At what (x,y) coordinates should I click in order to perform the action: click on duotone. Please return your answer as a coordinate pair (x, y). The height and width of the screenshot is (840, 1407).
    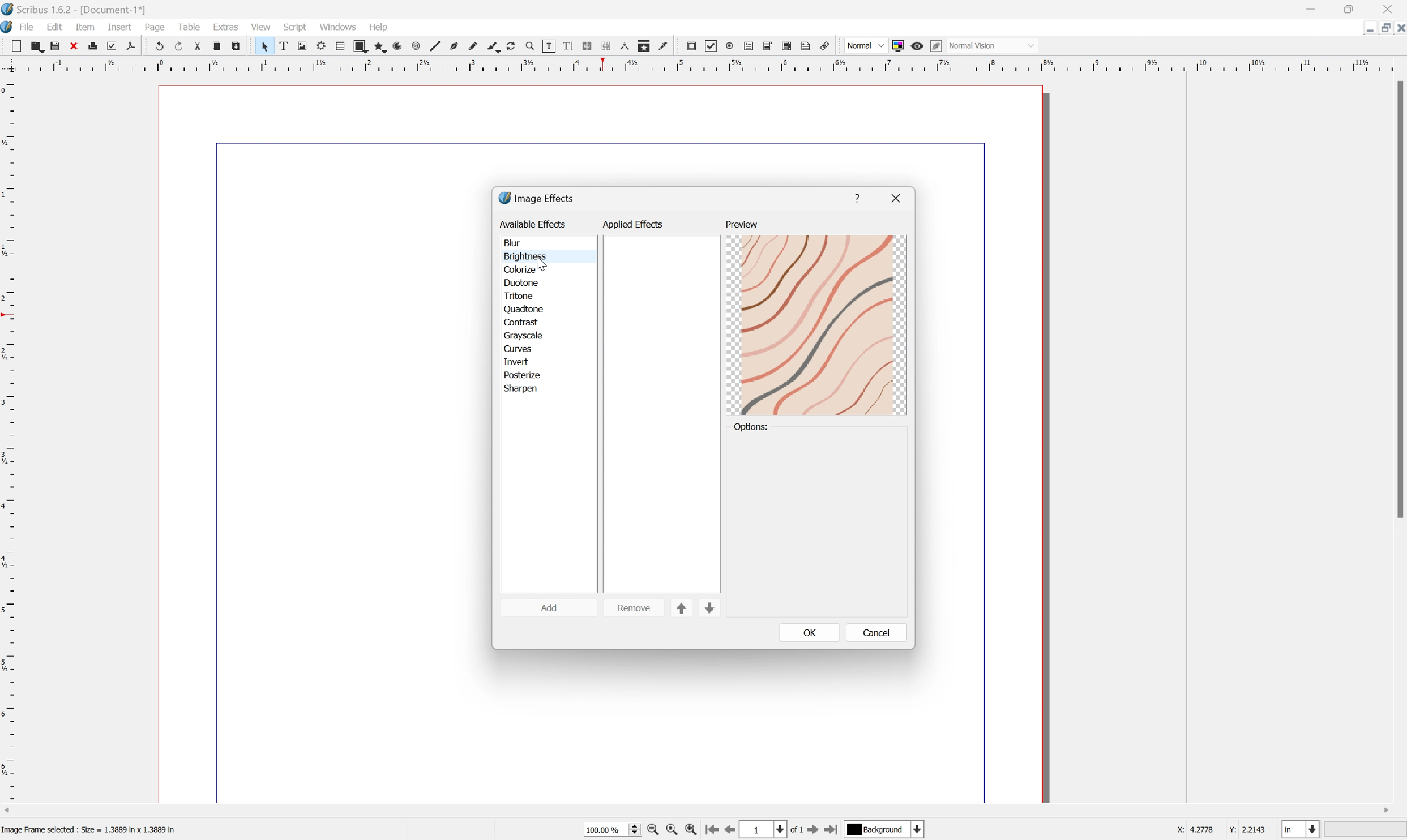
    Looking at the image, I should click on (521, 282).